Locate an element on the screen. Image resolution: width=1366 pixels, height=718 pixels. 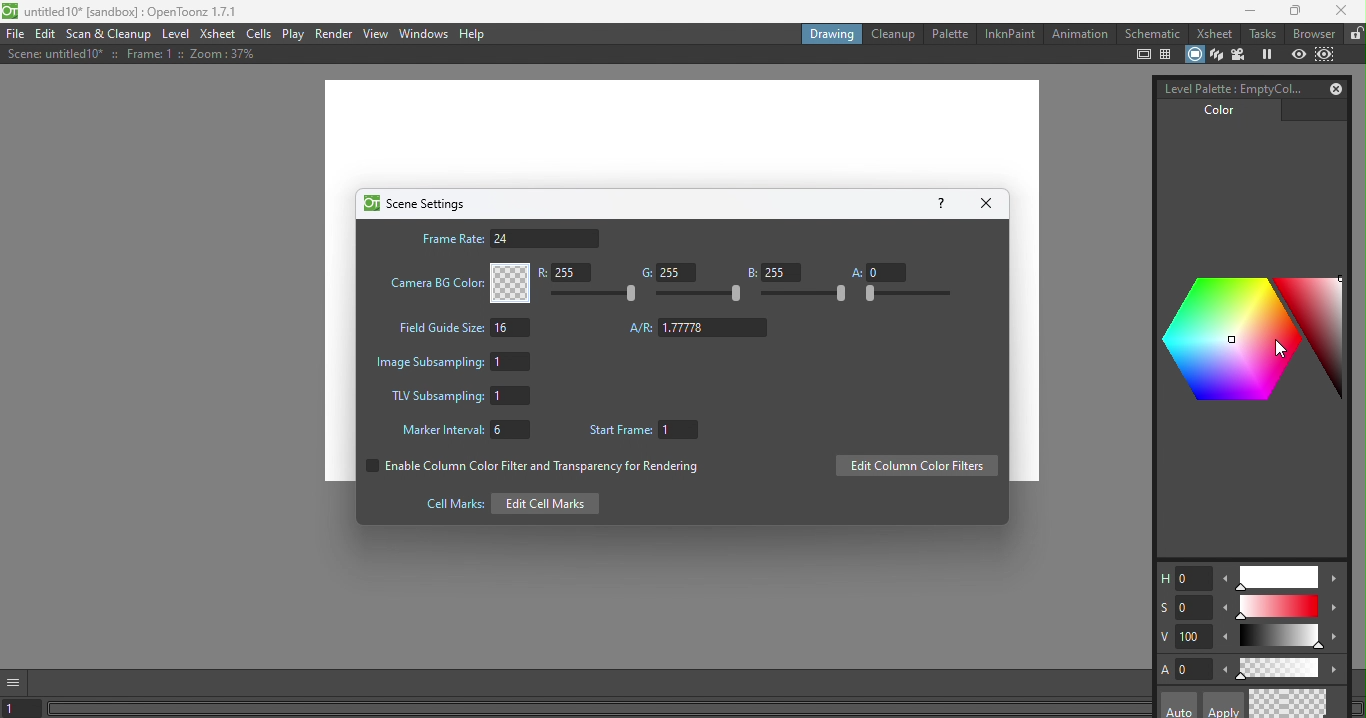
Scene details is located at coordinates (127, 56).